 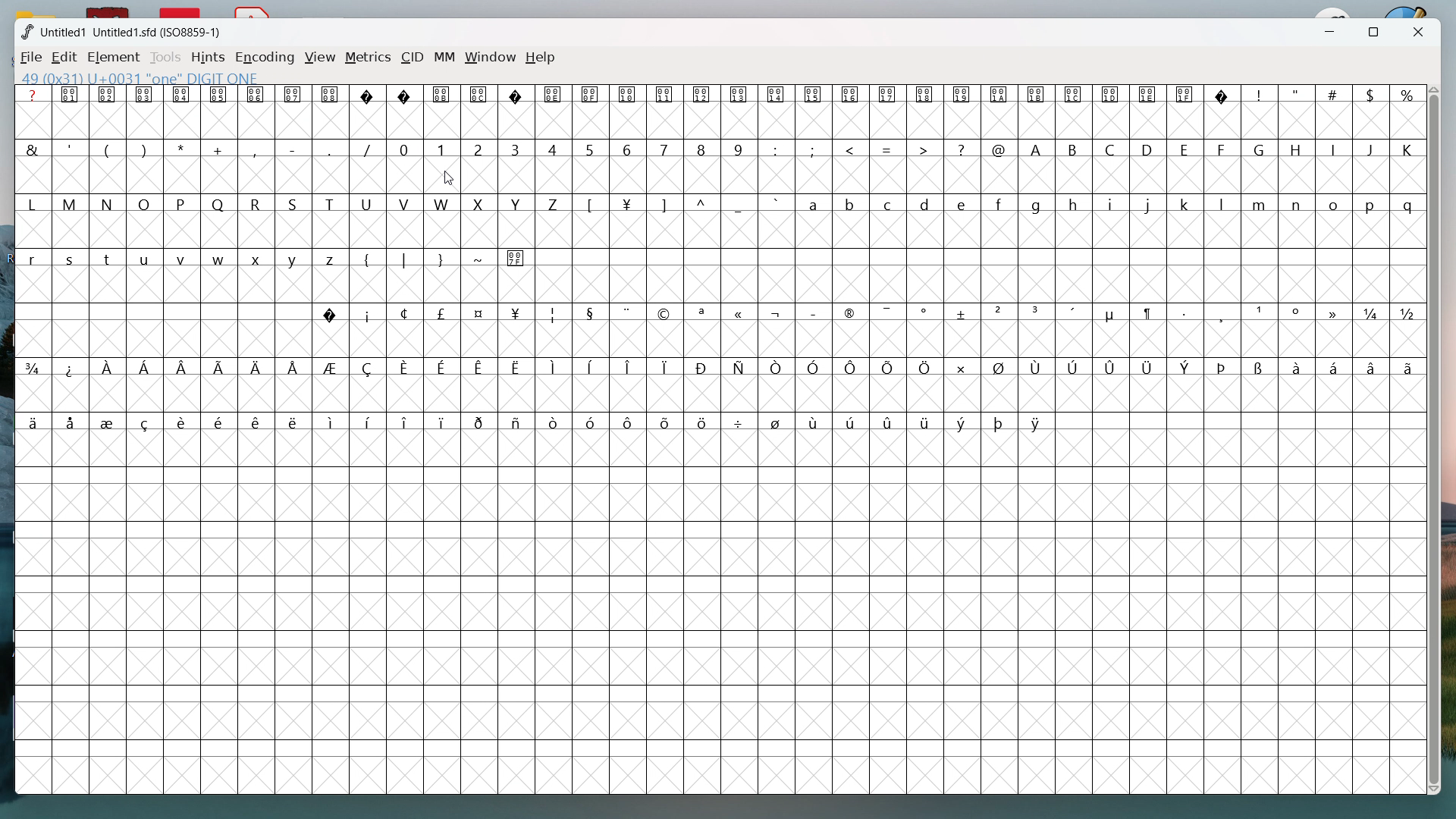 I want to click on j, so click(x=1150, y=205).